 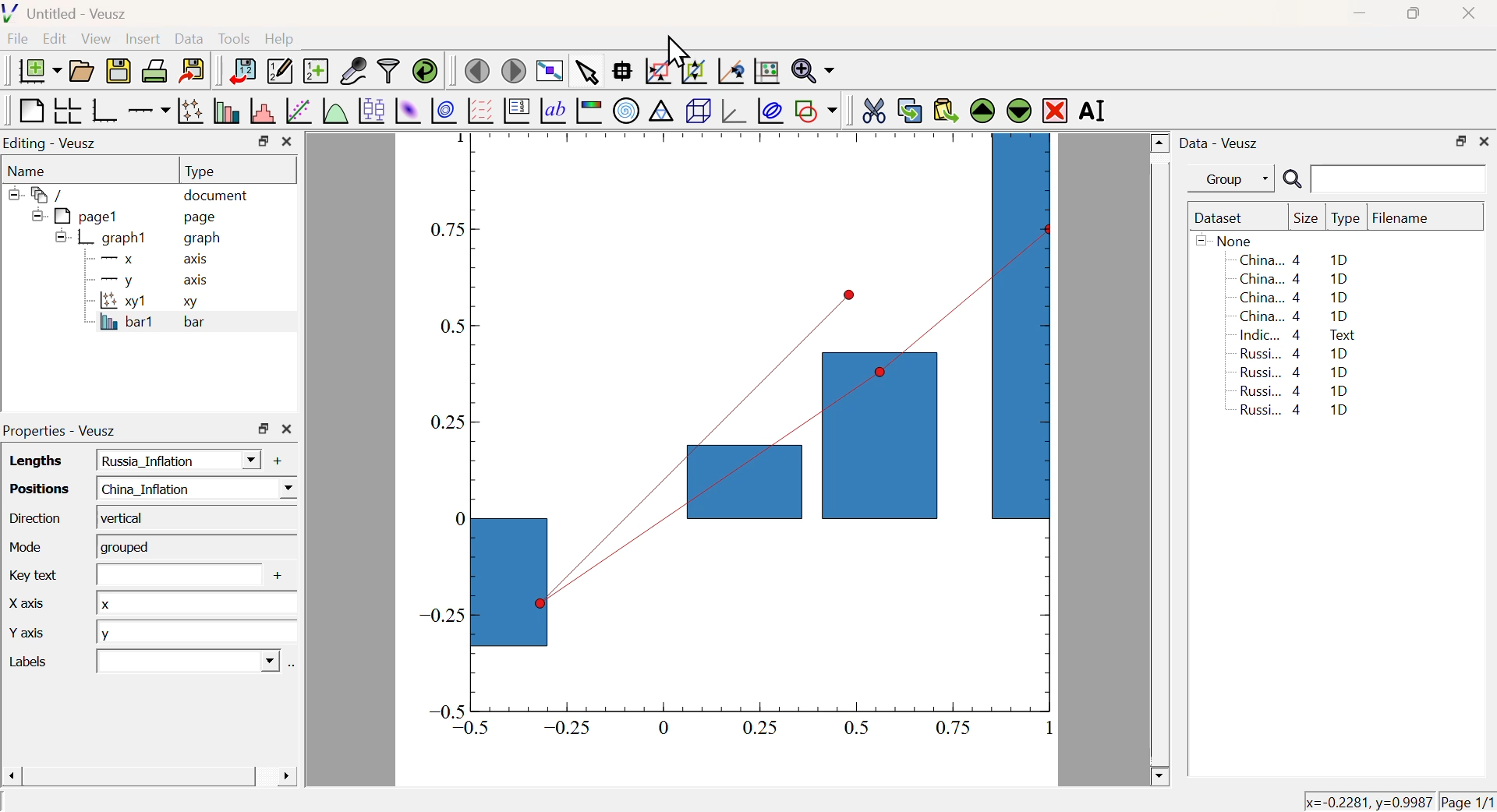 What do you see at coordinates (547, 72) in the screenshot?
I see `View plot fullscreen` at bounding box center [547, 72].